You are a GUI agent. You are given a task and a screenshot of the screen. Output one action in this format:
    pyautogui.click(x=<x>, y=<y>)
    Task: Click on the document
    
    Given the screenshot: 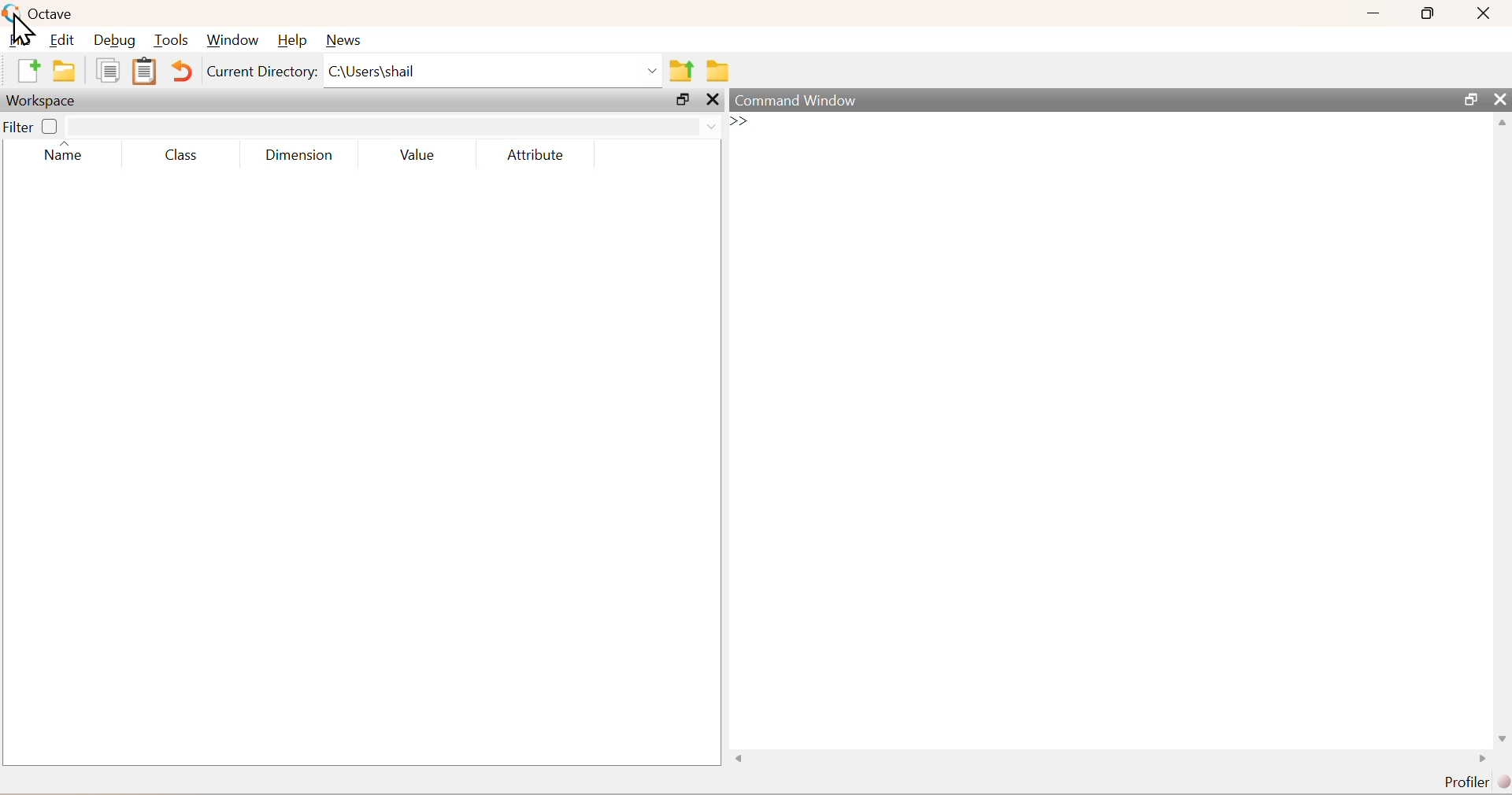 What is the action you would take?
    pyautogui.click(x=108, y=70)
    